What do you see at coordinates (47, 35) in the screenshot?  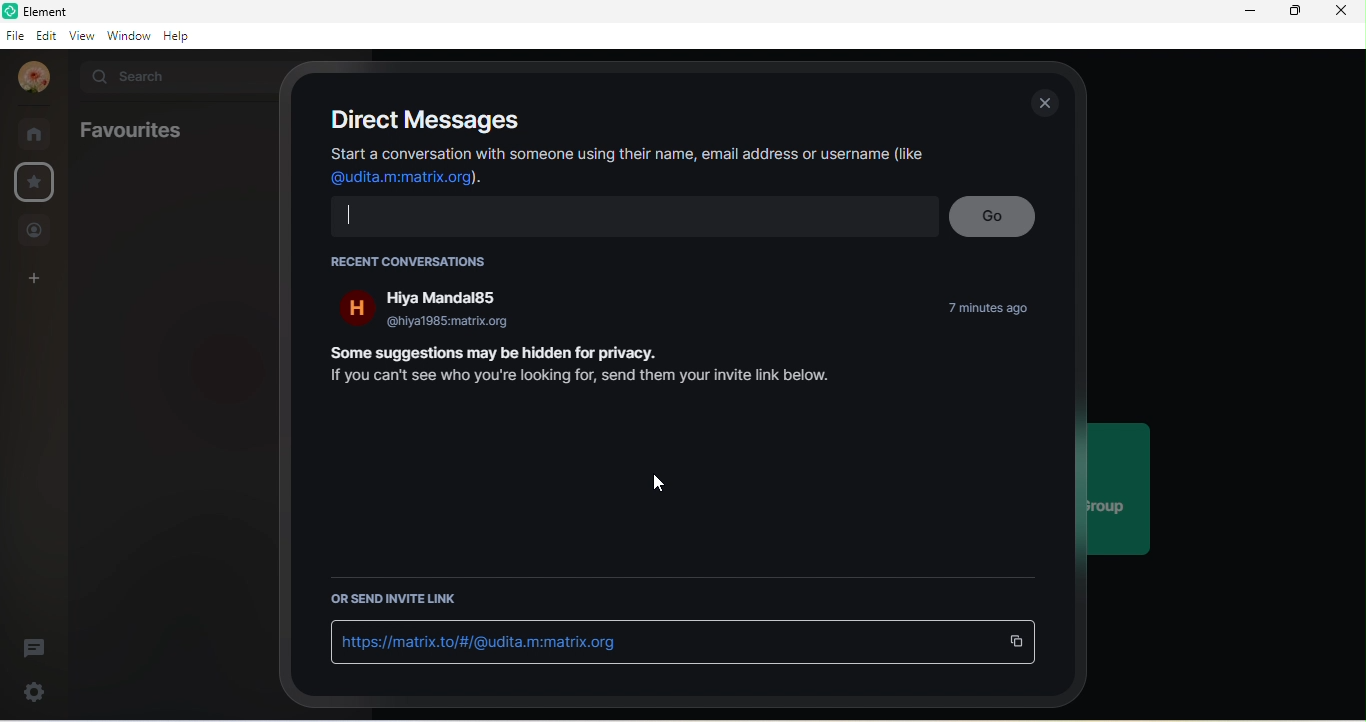 I see `edit` at bounding box center [47, 35].